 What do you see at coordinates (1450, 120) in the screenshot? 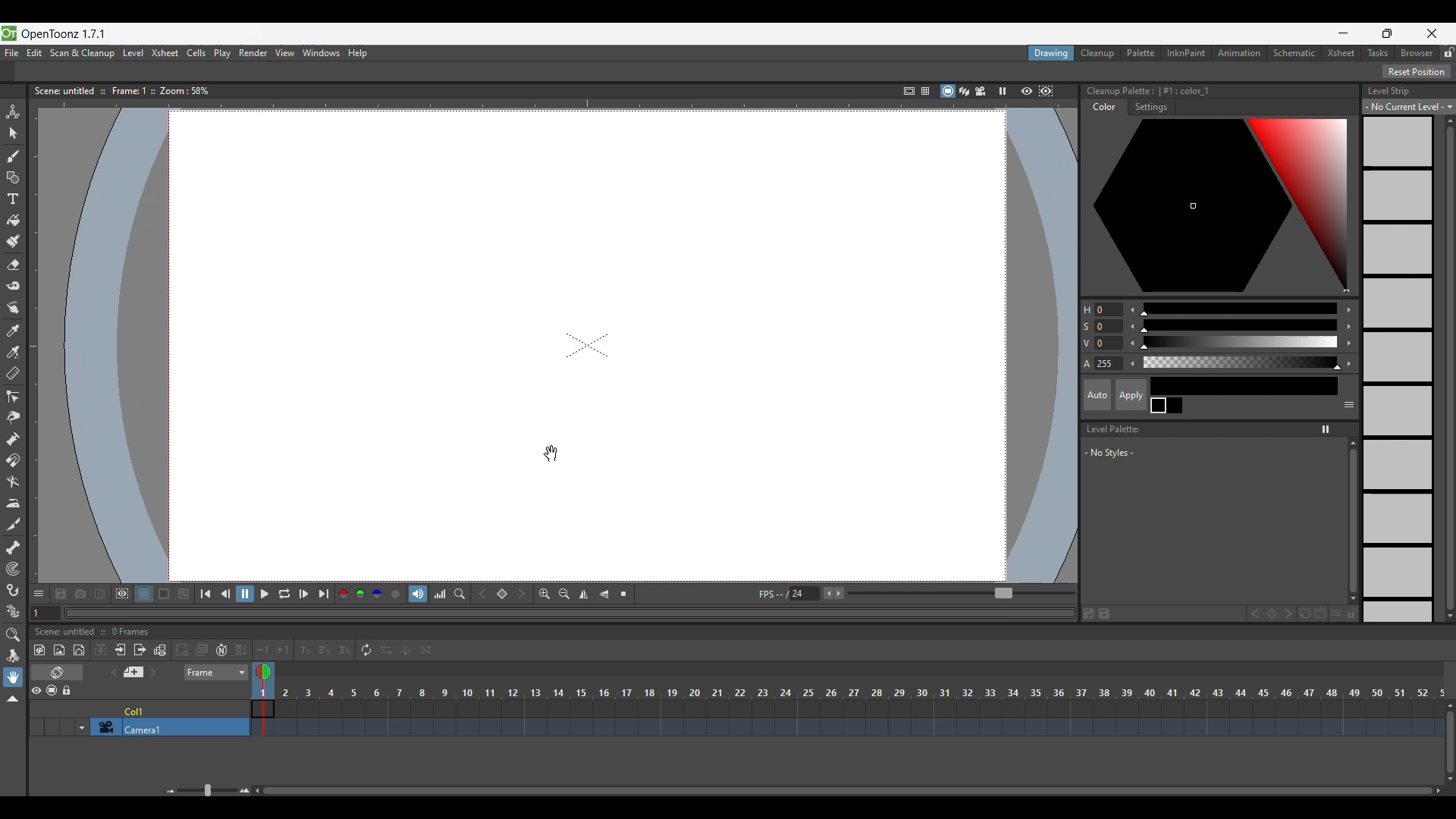
I see `Quick vertical slide up` at bounding box center [1450, 120].